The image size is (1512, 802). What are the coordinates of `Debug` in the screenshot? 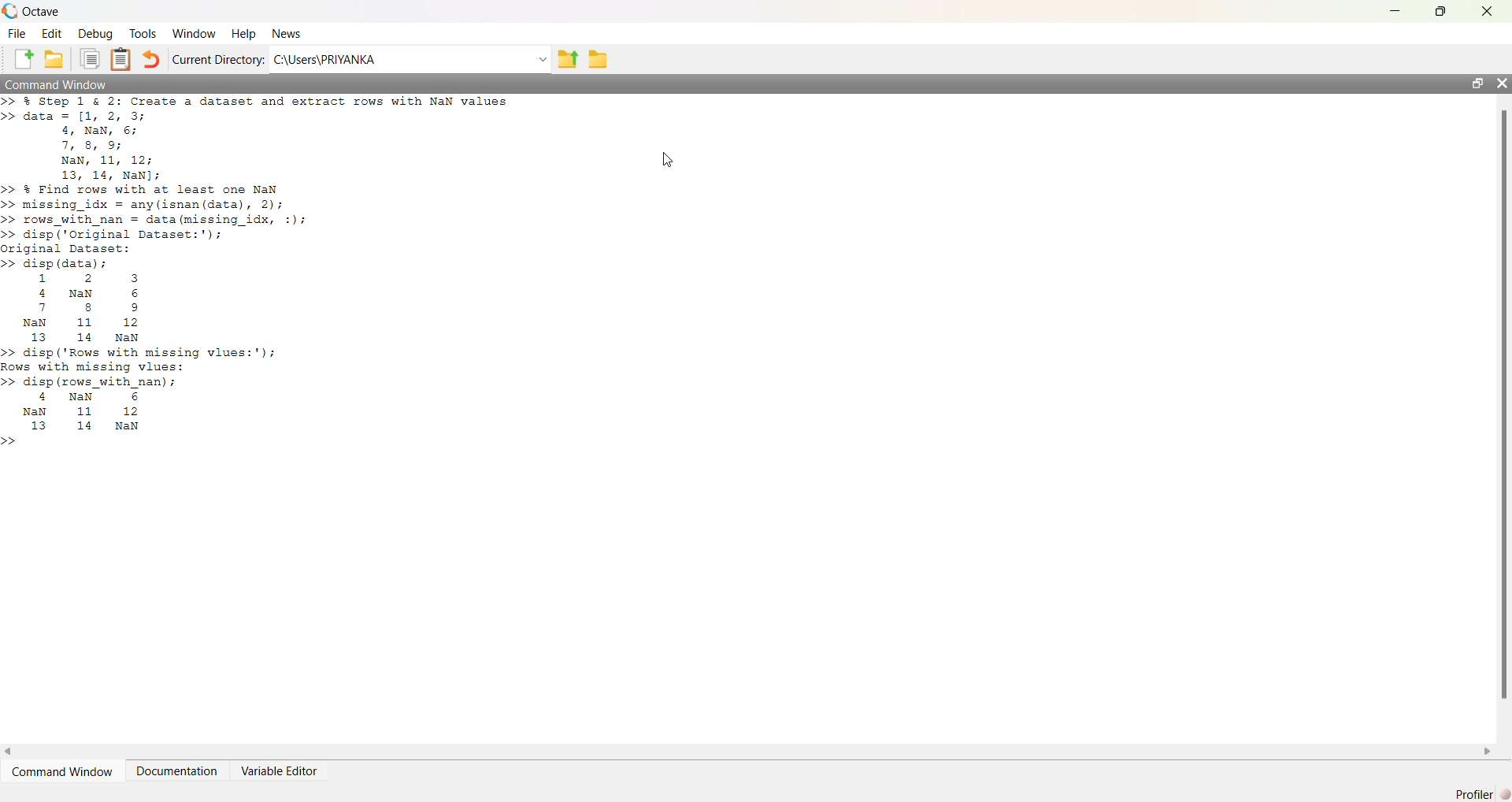 It's located at (95, 34).